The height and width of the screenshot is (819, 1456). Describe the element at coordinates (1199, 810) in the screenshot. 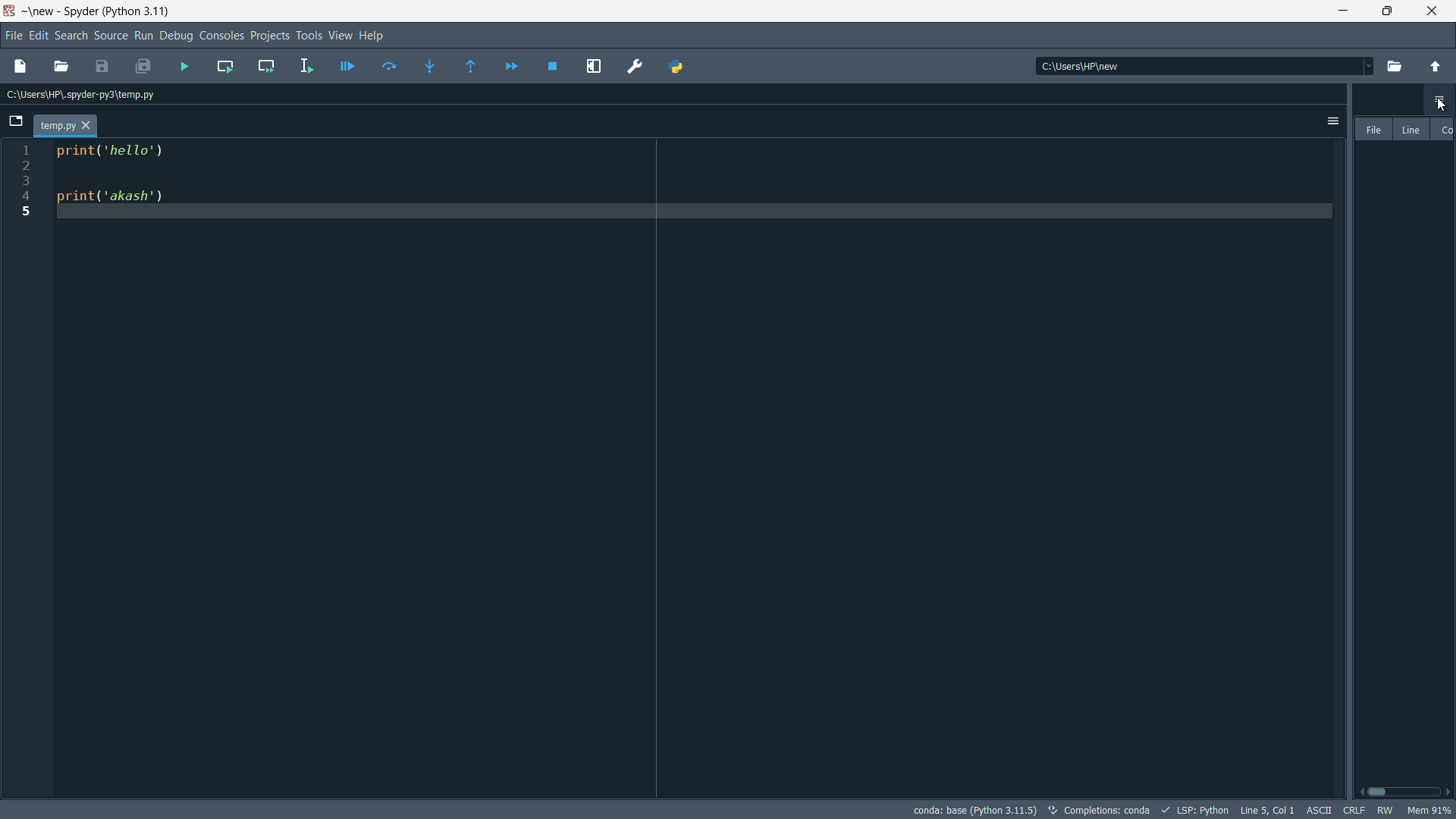

I see `LSP:Python` at that location.